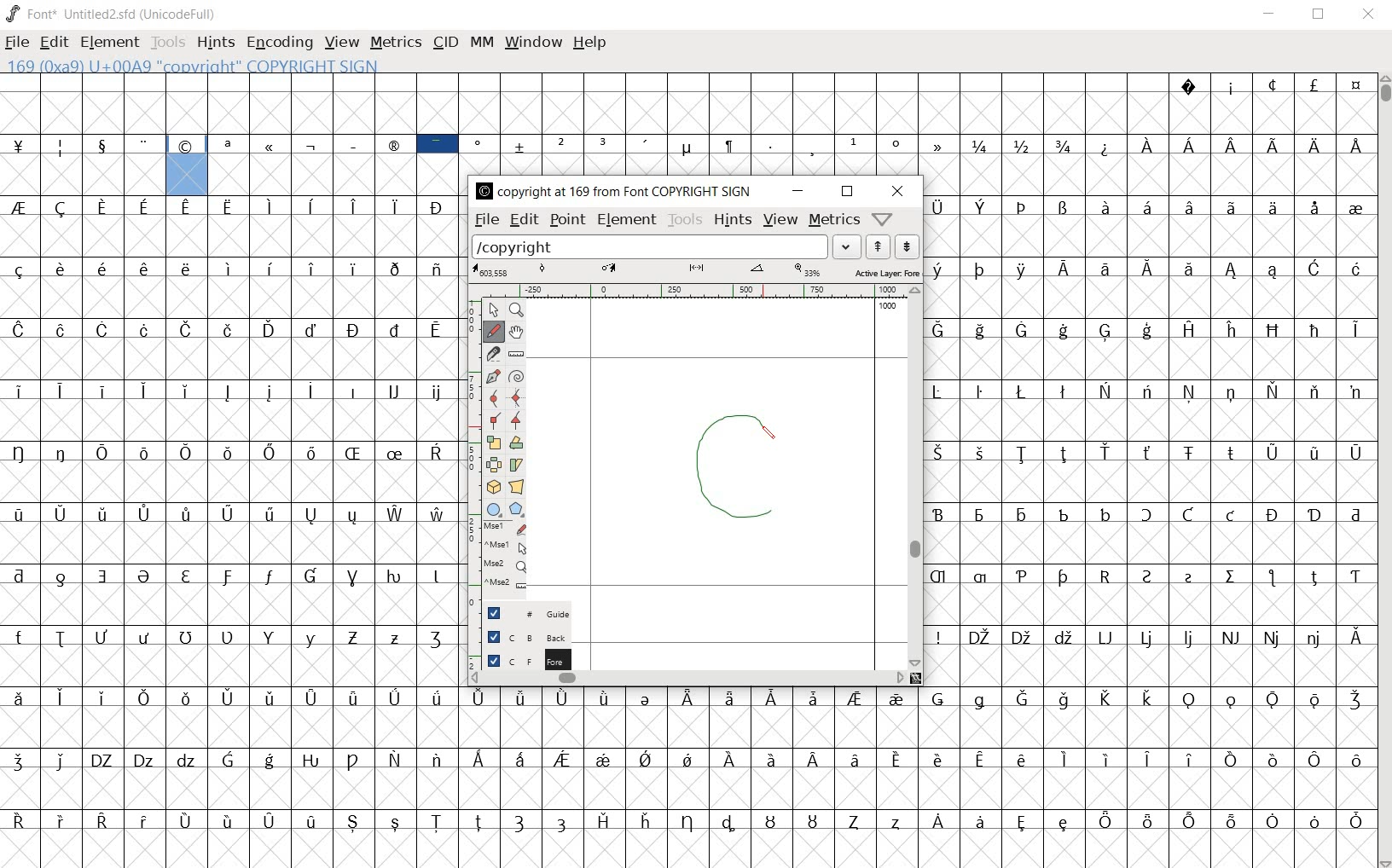  What do you see at coordinates (493, 331) in the screenshot?
I see `draw a freehand curve` at bounding box center [493, 331].